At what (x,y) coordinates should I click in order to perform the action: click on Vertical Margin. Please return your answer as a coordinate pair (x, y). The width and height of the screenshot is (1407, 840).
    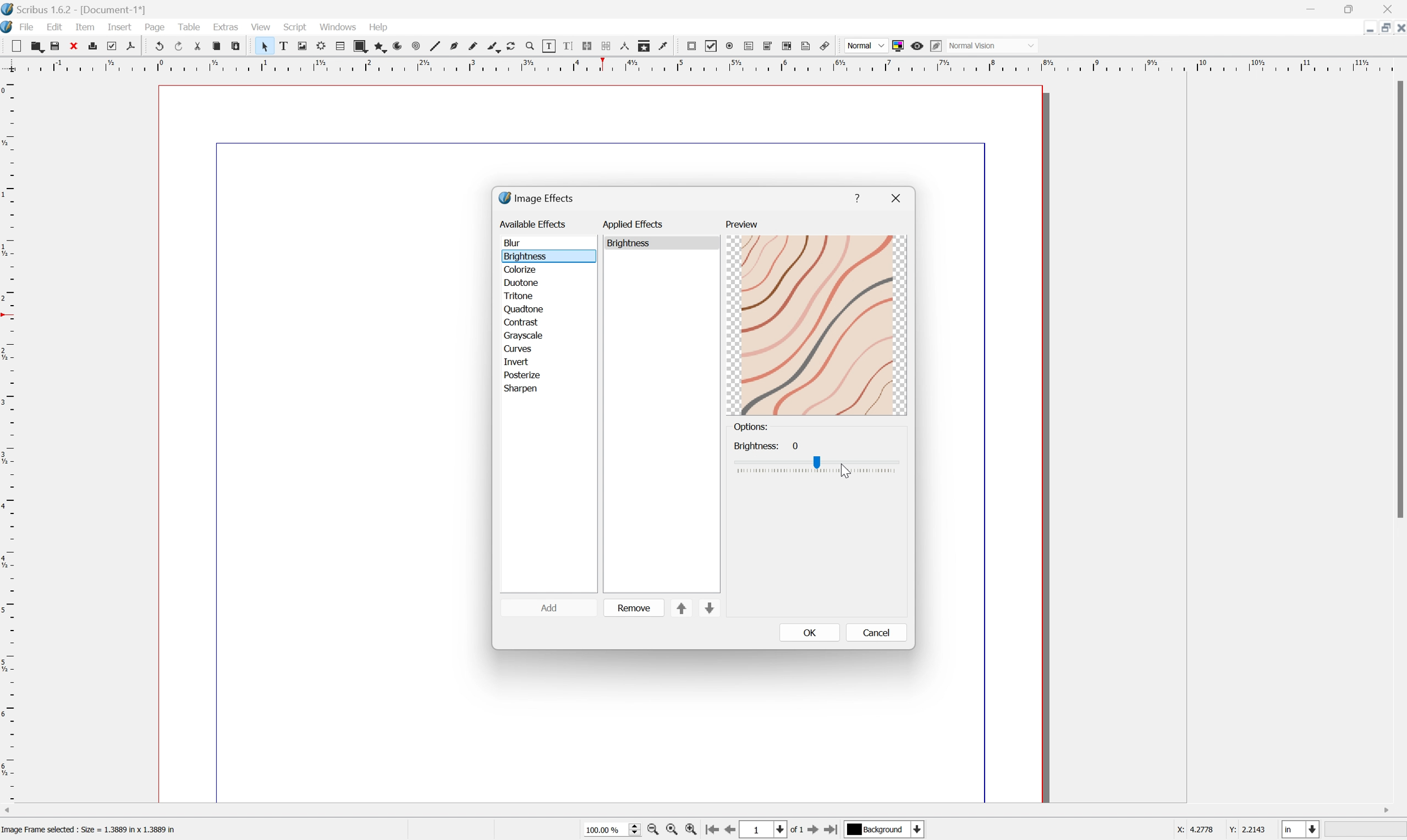
    Looking at the image, I should click on (9, 442).